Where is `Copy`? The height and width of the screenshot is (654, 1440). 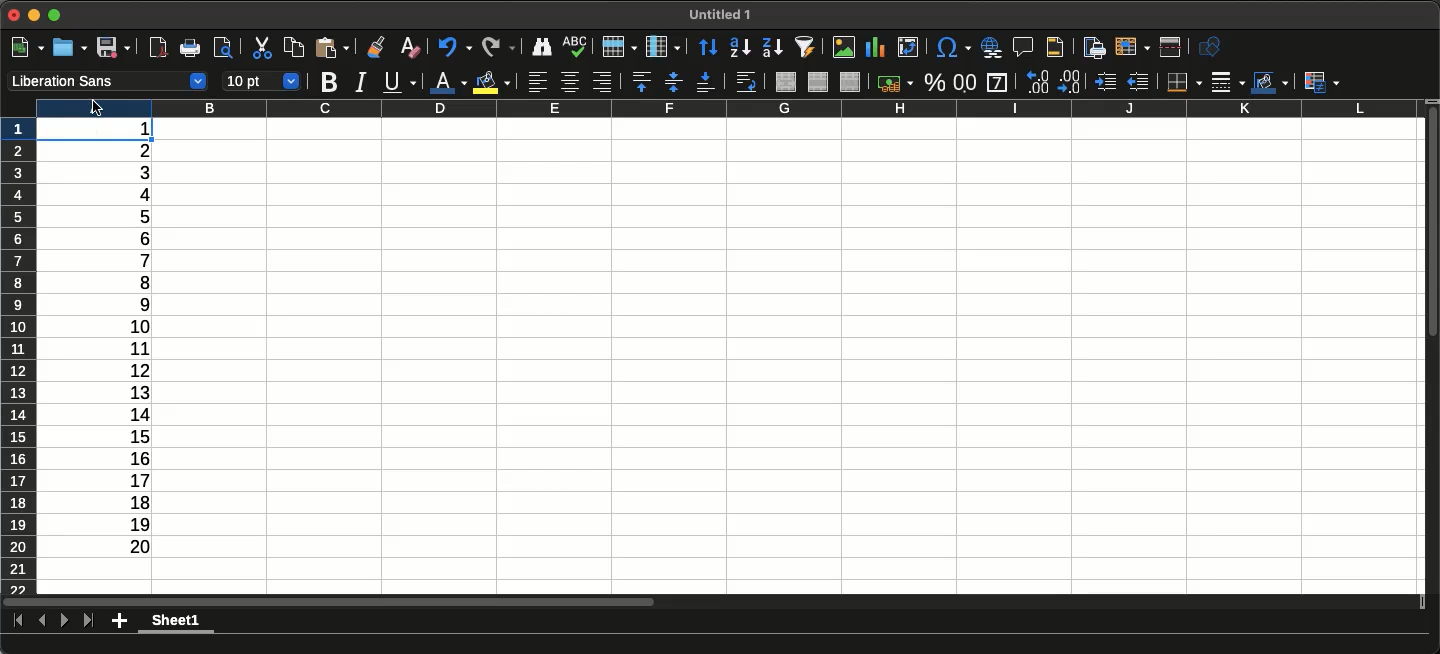
Copy is located at coordinates (293, 47).